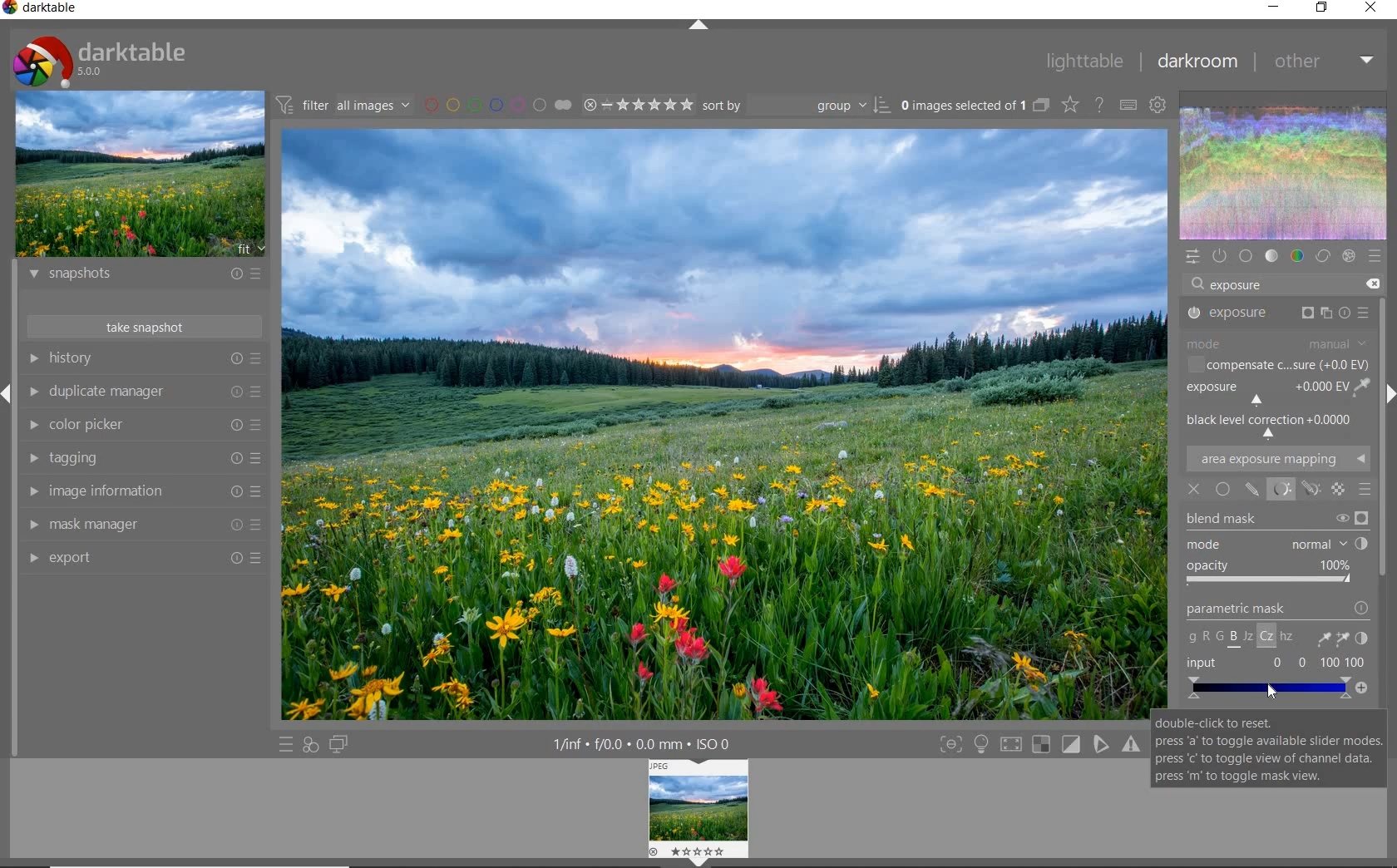  Describe the element at coordinates (1242, 285) in the screenshot. I see `exposure` at that location.